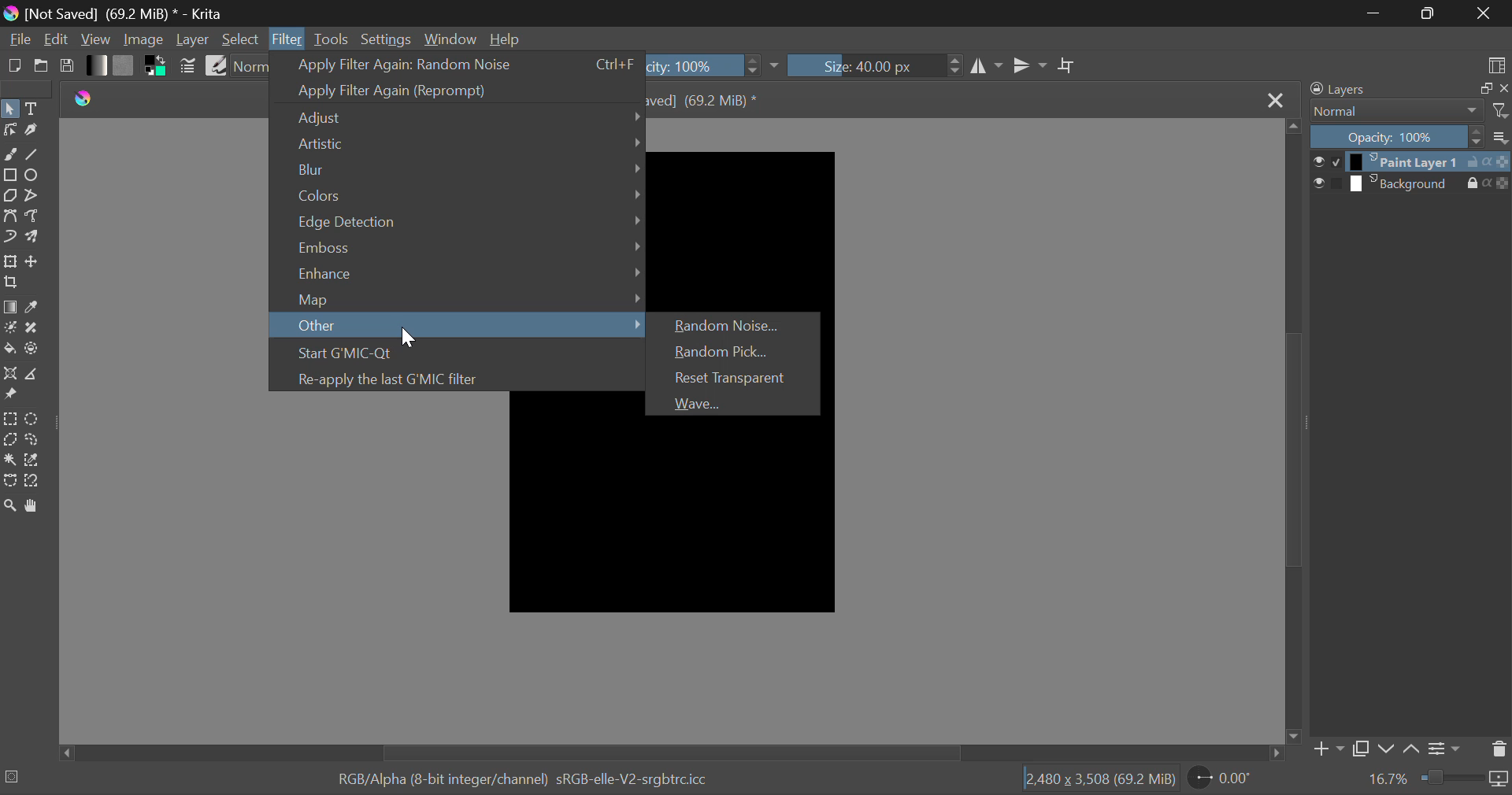  I want to click on Magnetic Selection, so click(36, 481).